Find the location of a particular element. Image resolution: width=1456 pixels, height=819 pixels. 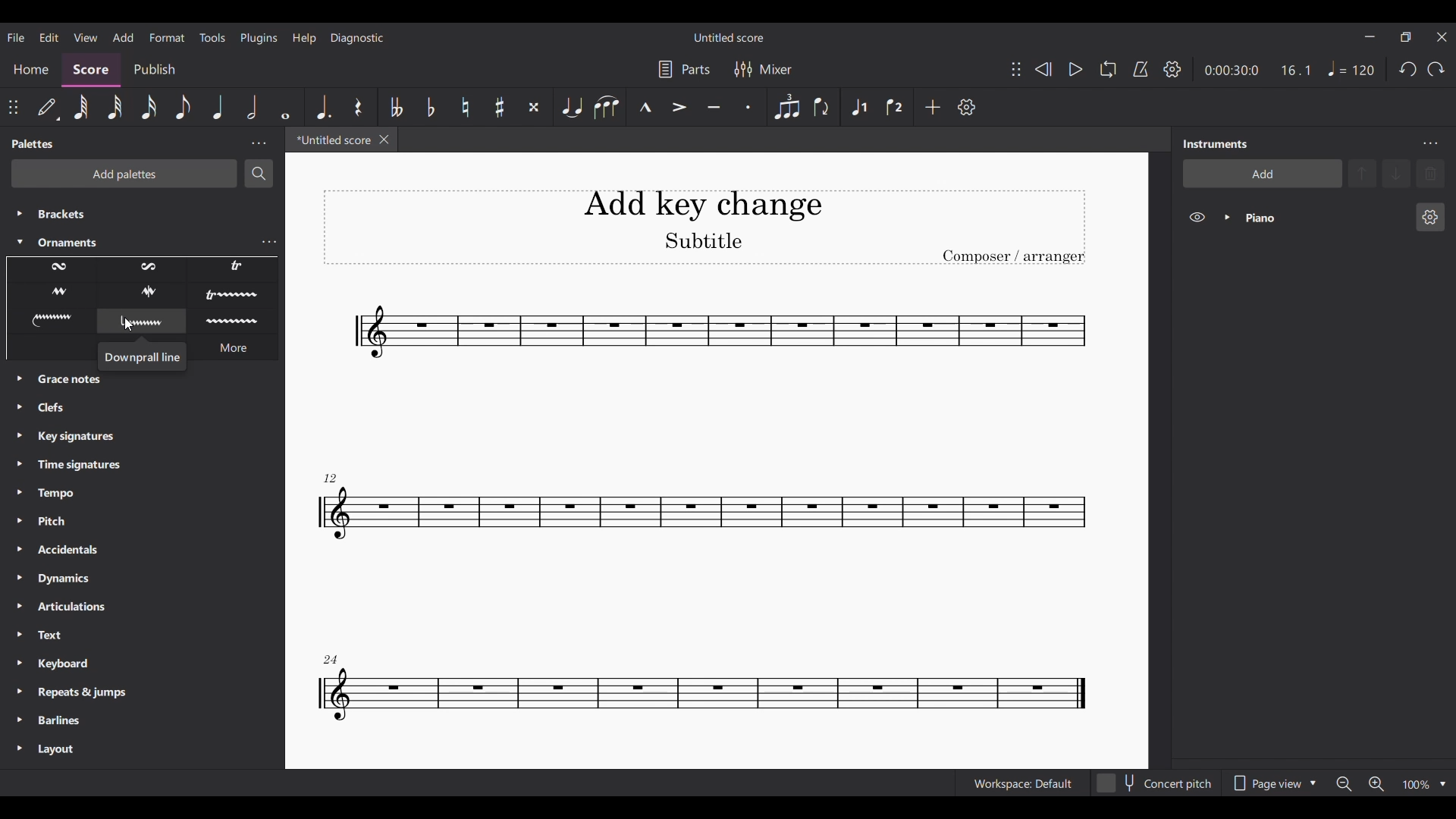

Add menu is located at coordinates (124, 36).